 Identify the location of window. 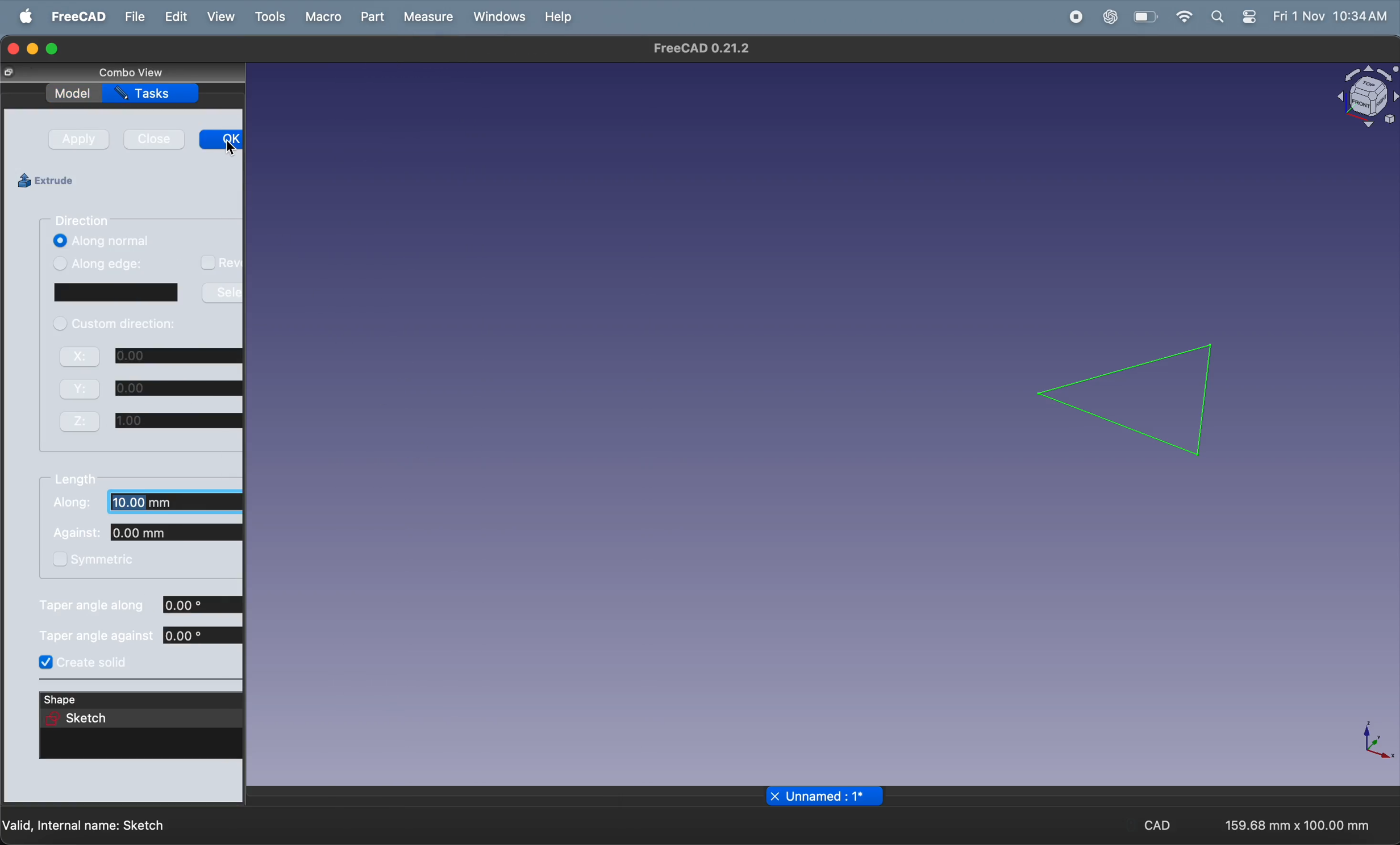
(118, 292).